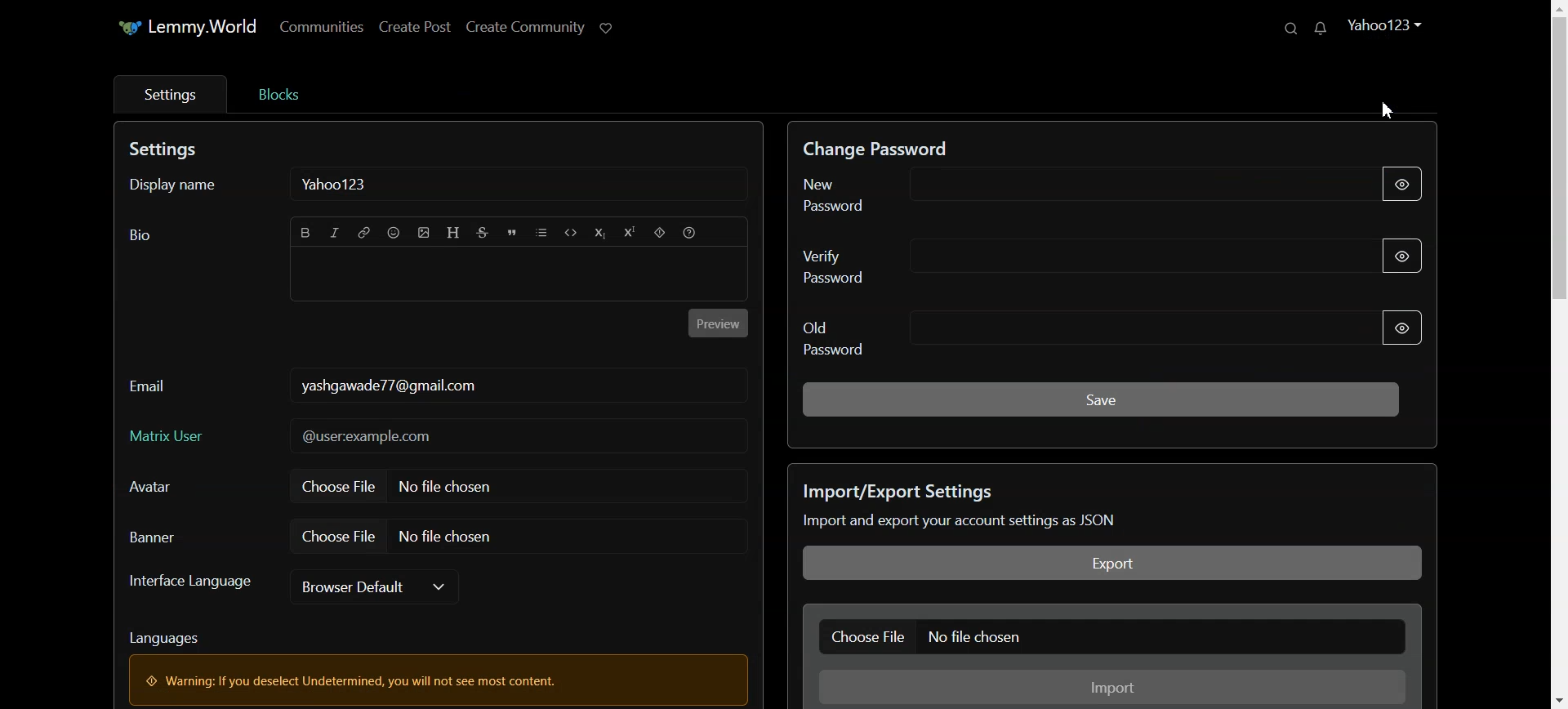 The image size is (1568, 709). I want to click on Bloks, so click(278, 95).